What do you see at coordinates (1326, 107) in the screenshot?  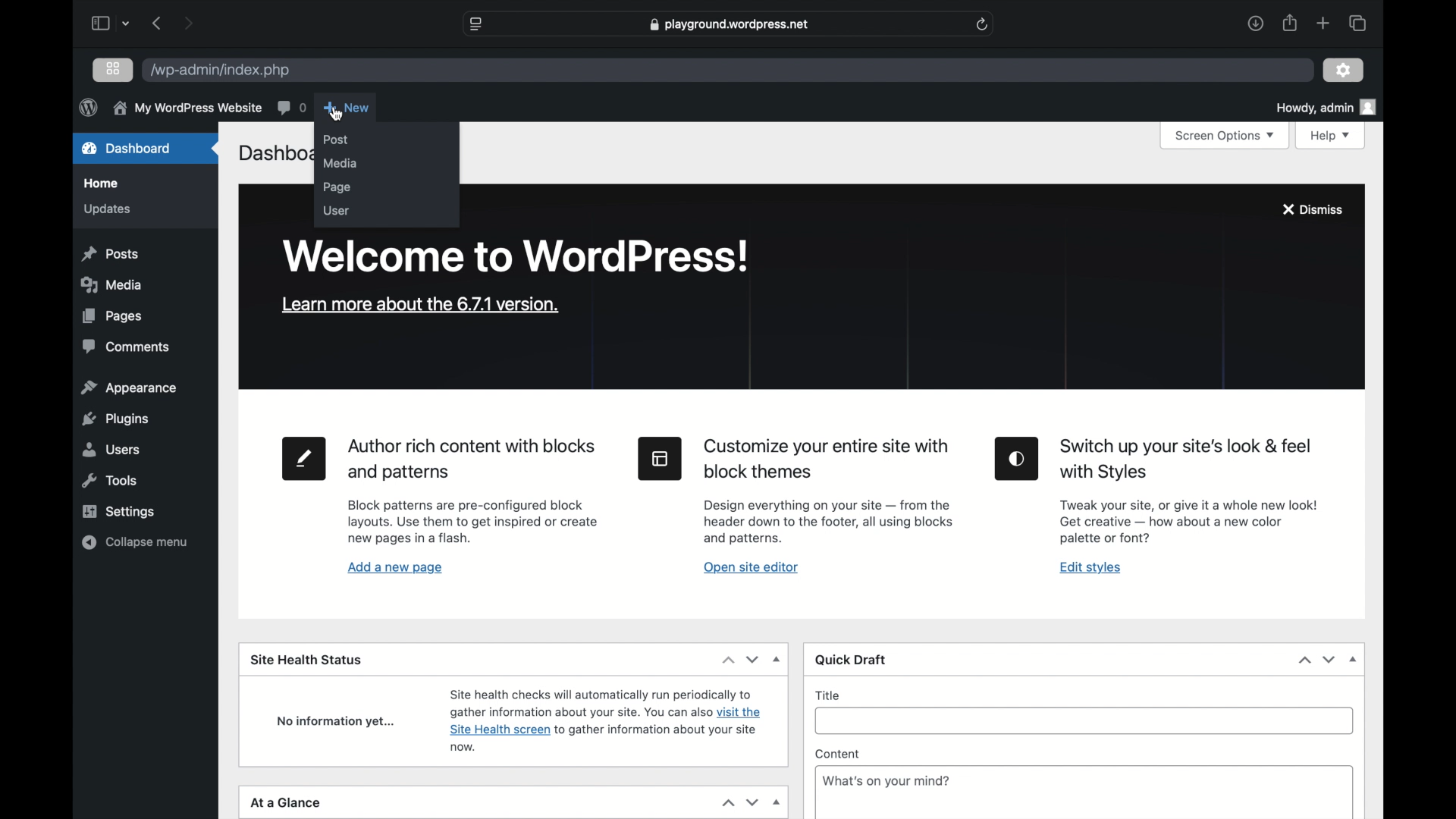 I see `howdy admin` at bounding box center [1326, 107].